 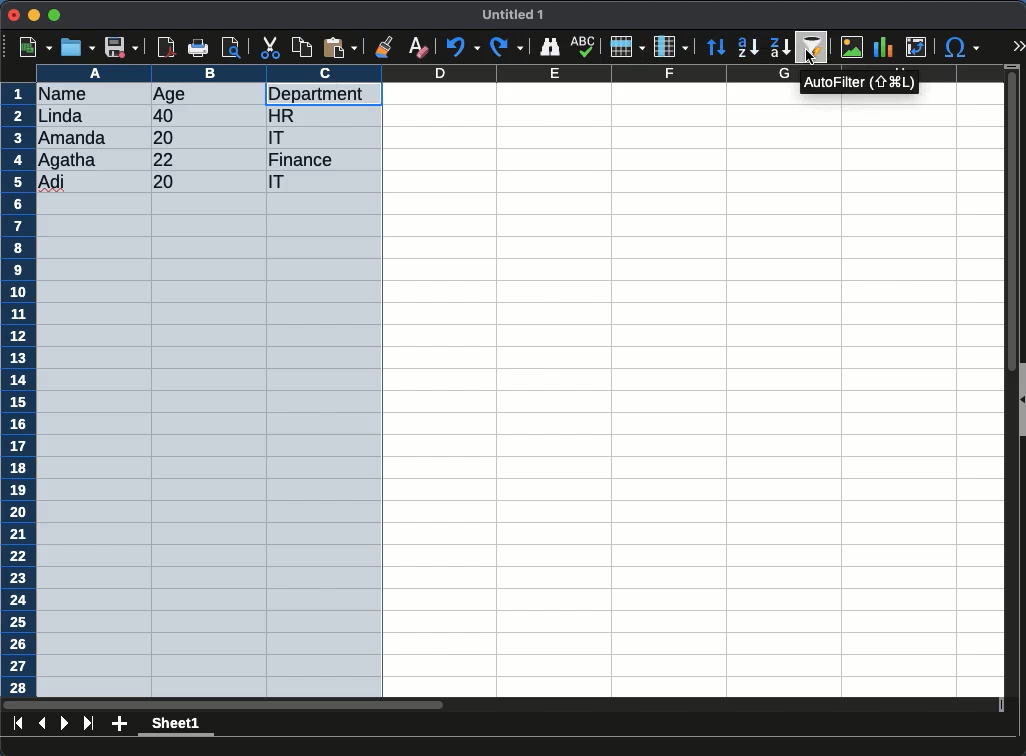 What do you see at coordinates (414, 71) in the screenshot?
I see `columns` at bounding box center [414, 71].